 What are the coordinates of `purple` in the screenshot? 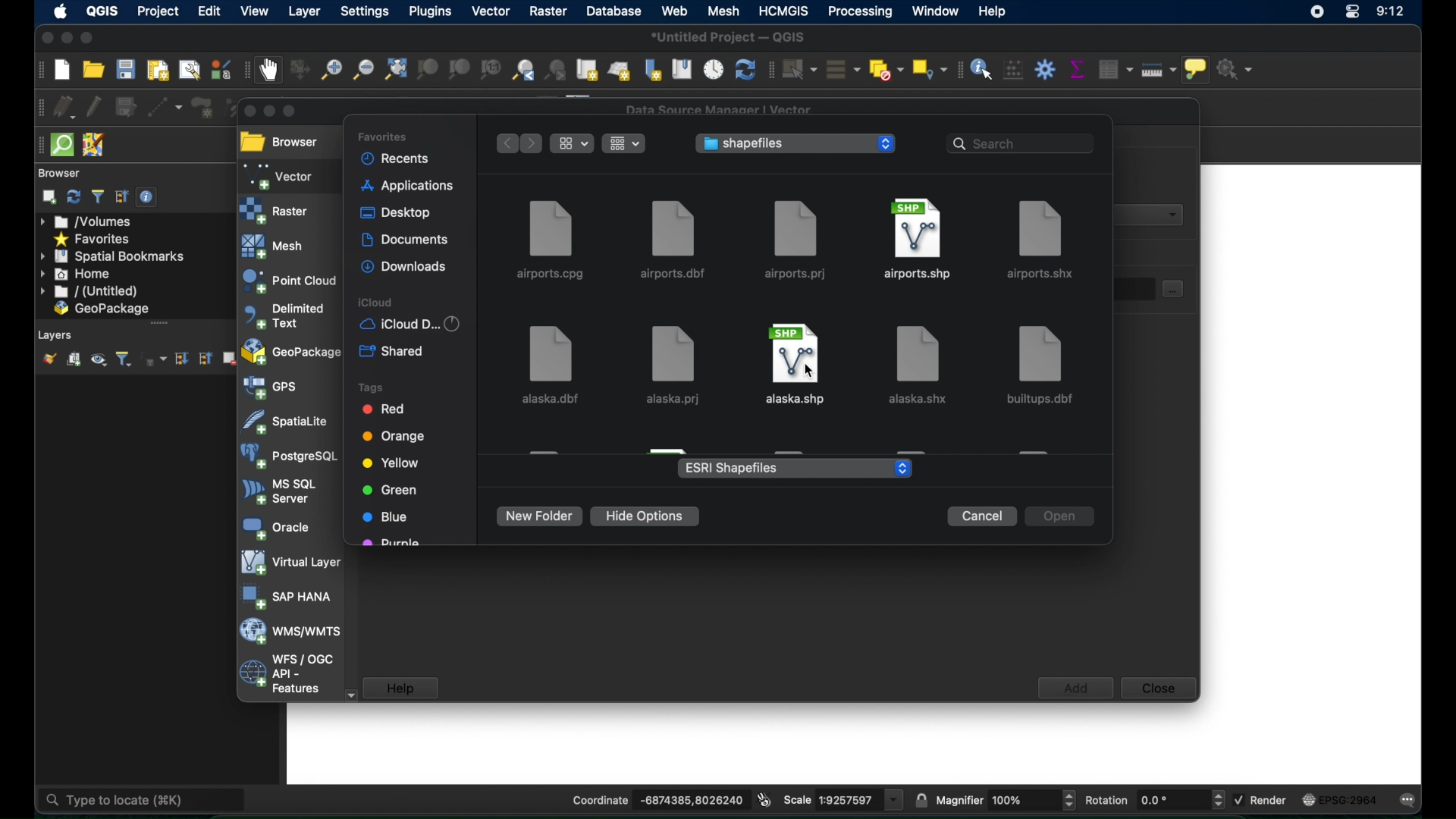 It's located at (389, 542).